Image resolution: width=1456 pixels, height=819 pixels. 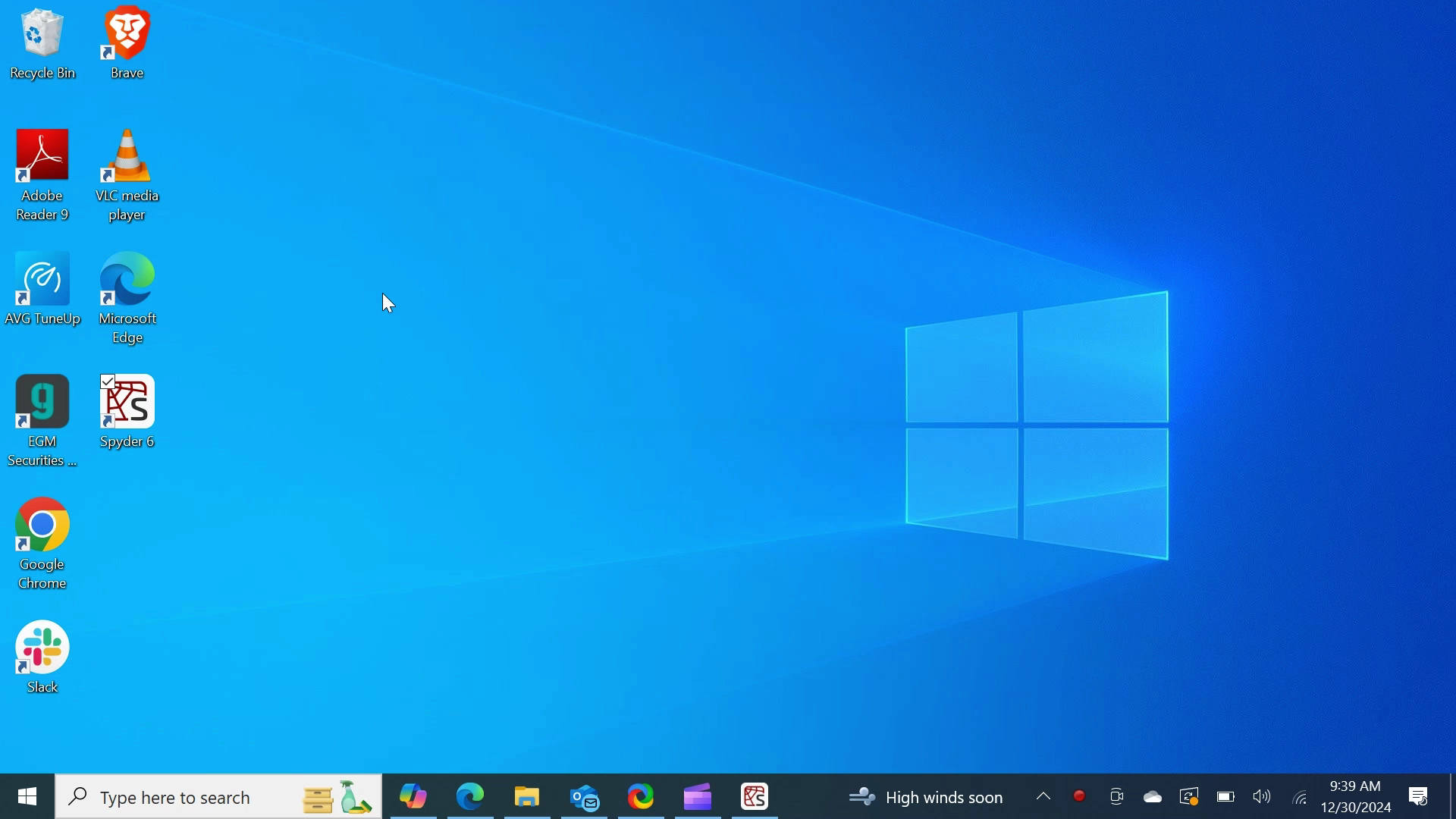 I want to click on tSearchype here to, so click(x=220, y=797).